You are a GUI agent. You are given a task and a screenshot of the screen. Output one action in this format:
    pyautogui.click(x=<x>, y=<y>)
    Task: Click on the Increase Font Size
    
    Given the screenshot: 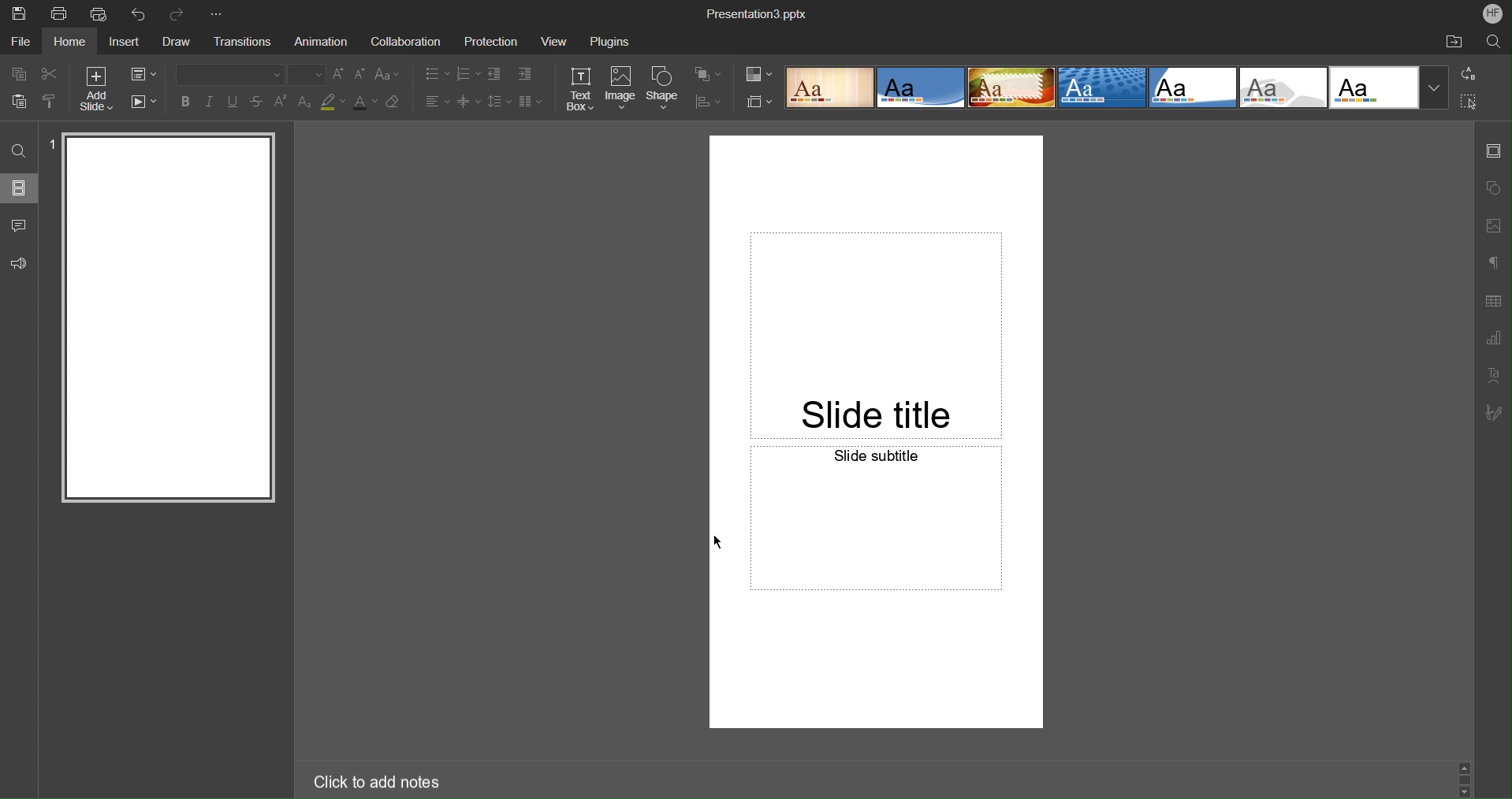 What is the action you would take?
    pyautogui.click(x=340, y=75)
    